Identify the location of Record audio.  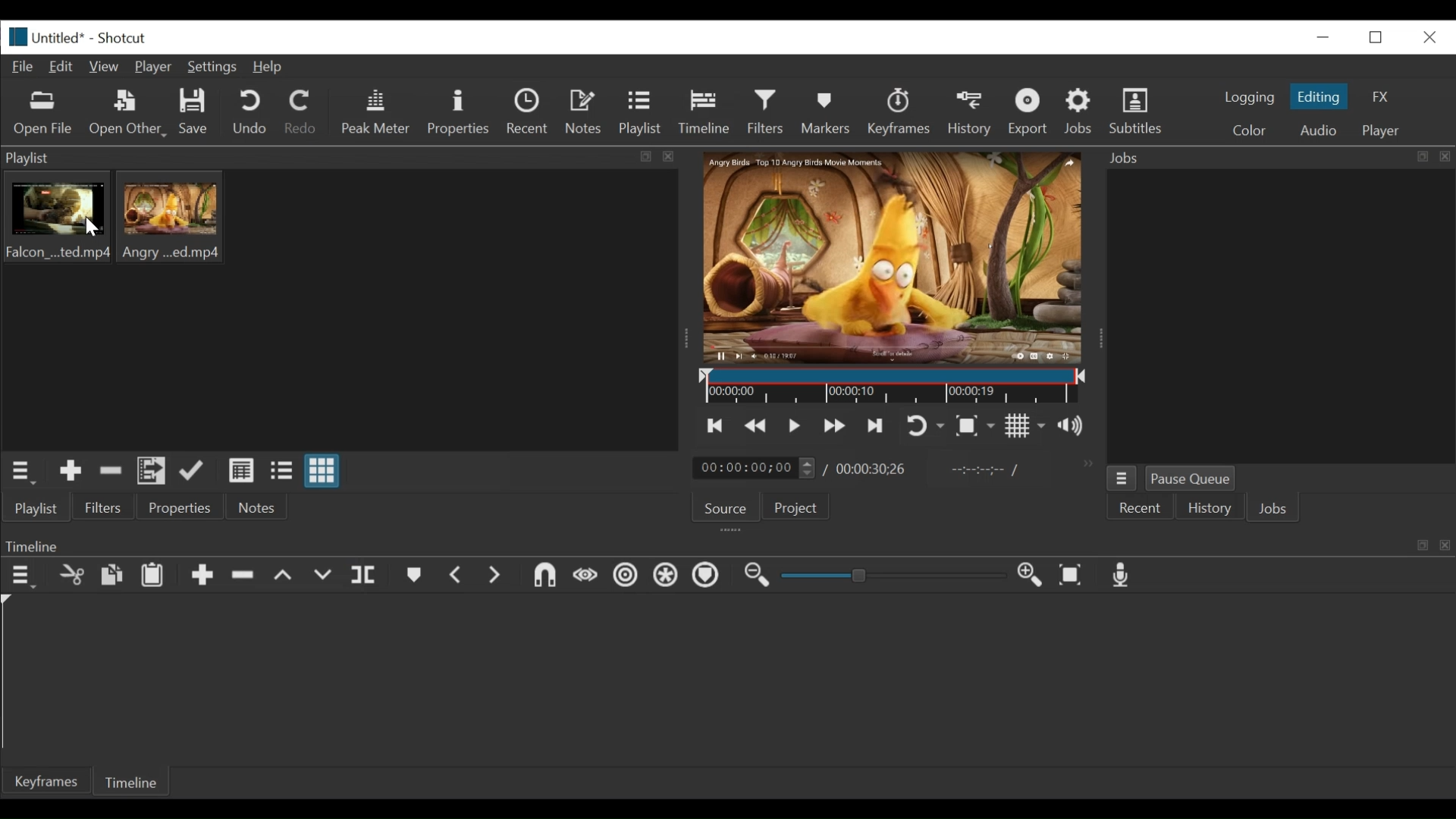
(1122, 579).